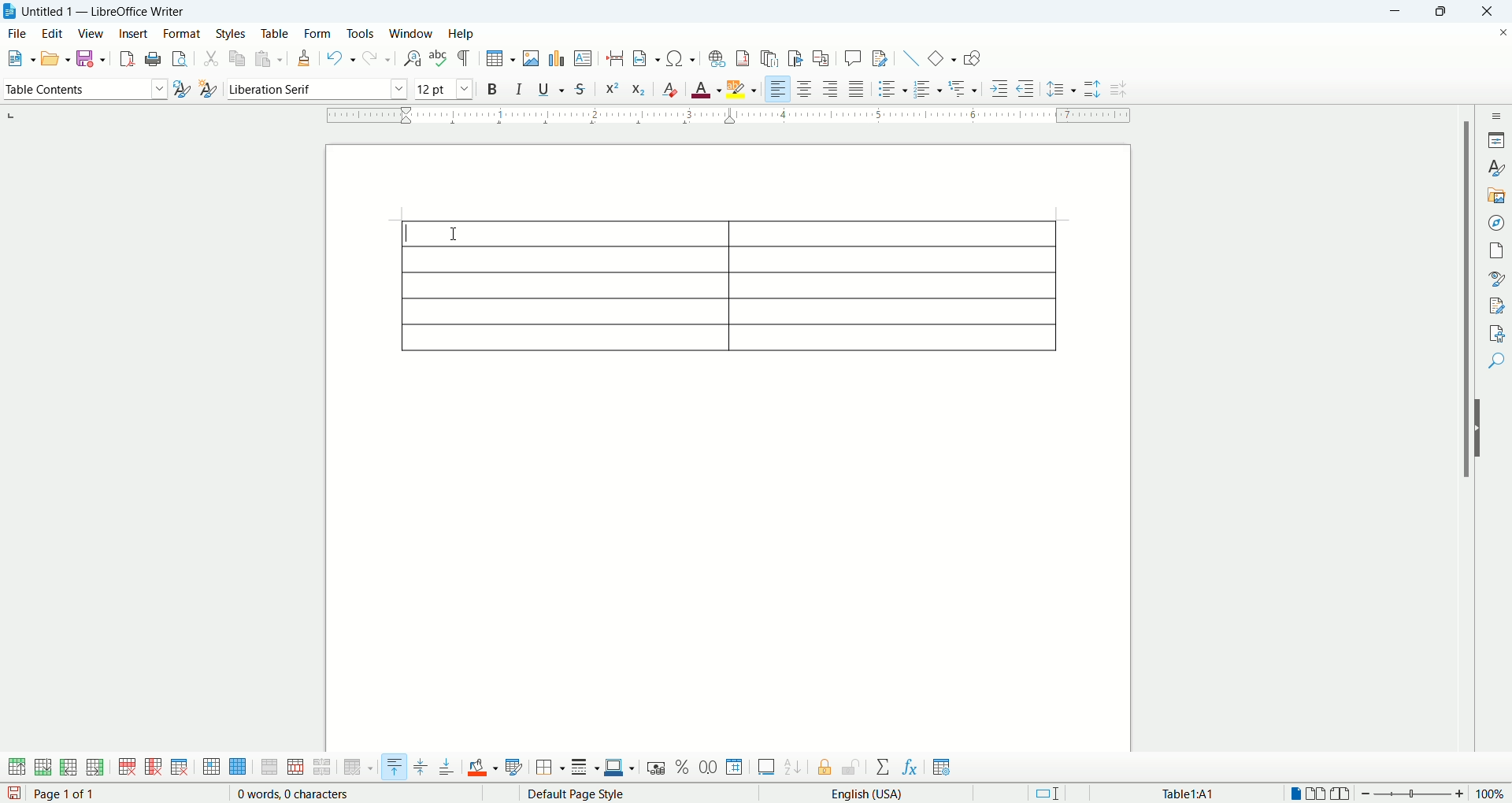  Describe the element at coordinates (857, 88) in the screenshot. I see `justified` at that location.